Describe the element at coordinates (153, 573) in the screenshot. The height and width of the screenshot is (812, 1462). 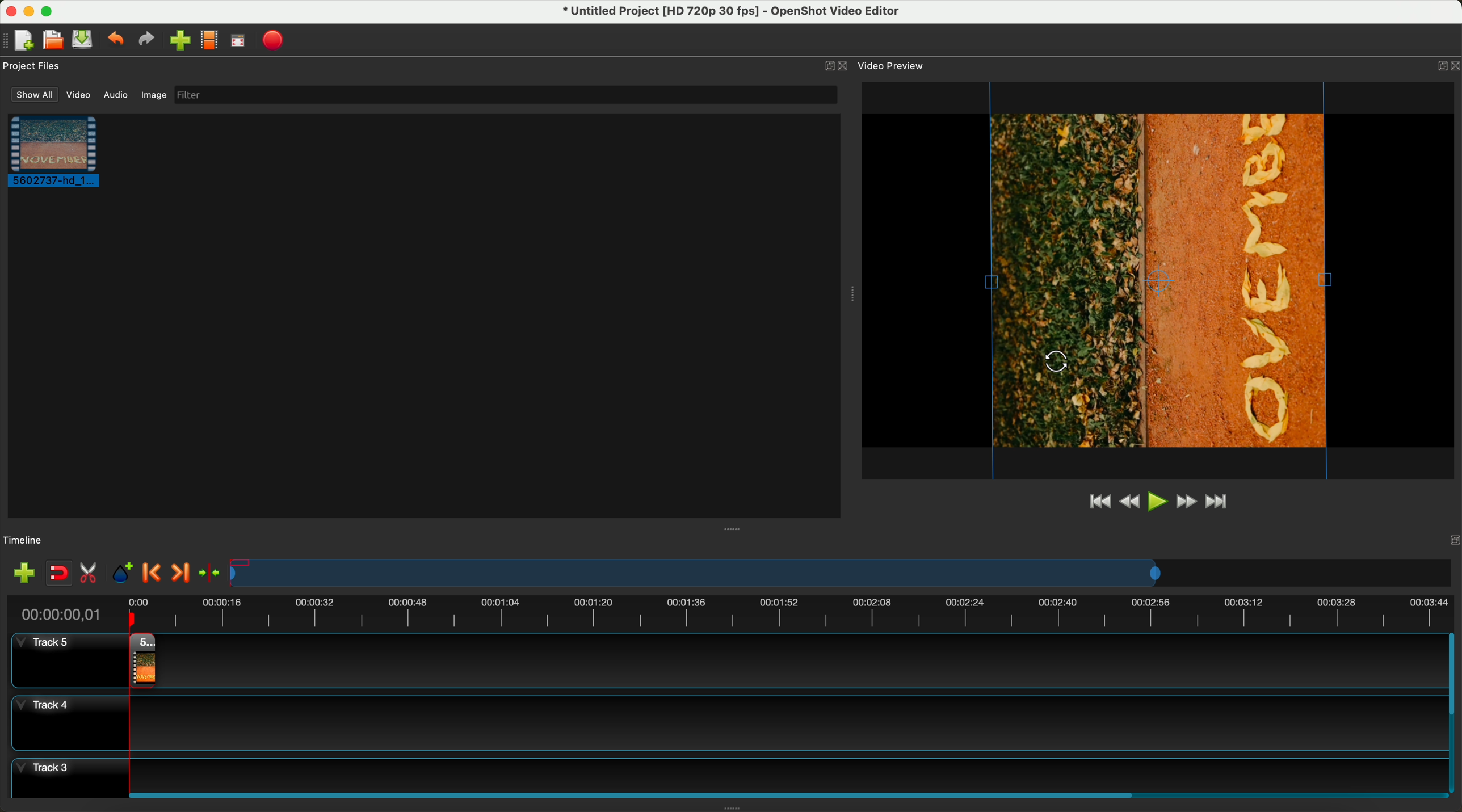
I see `previous marker` at that location.